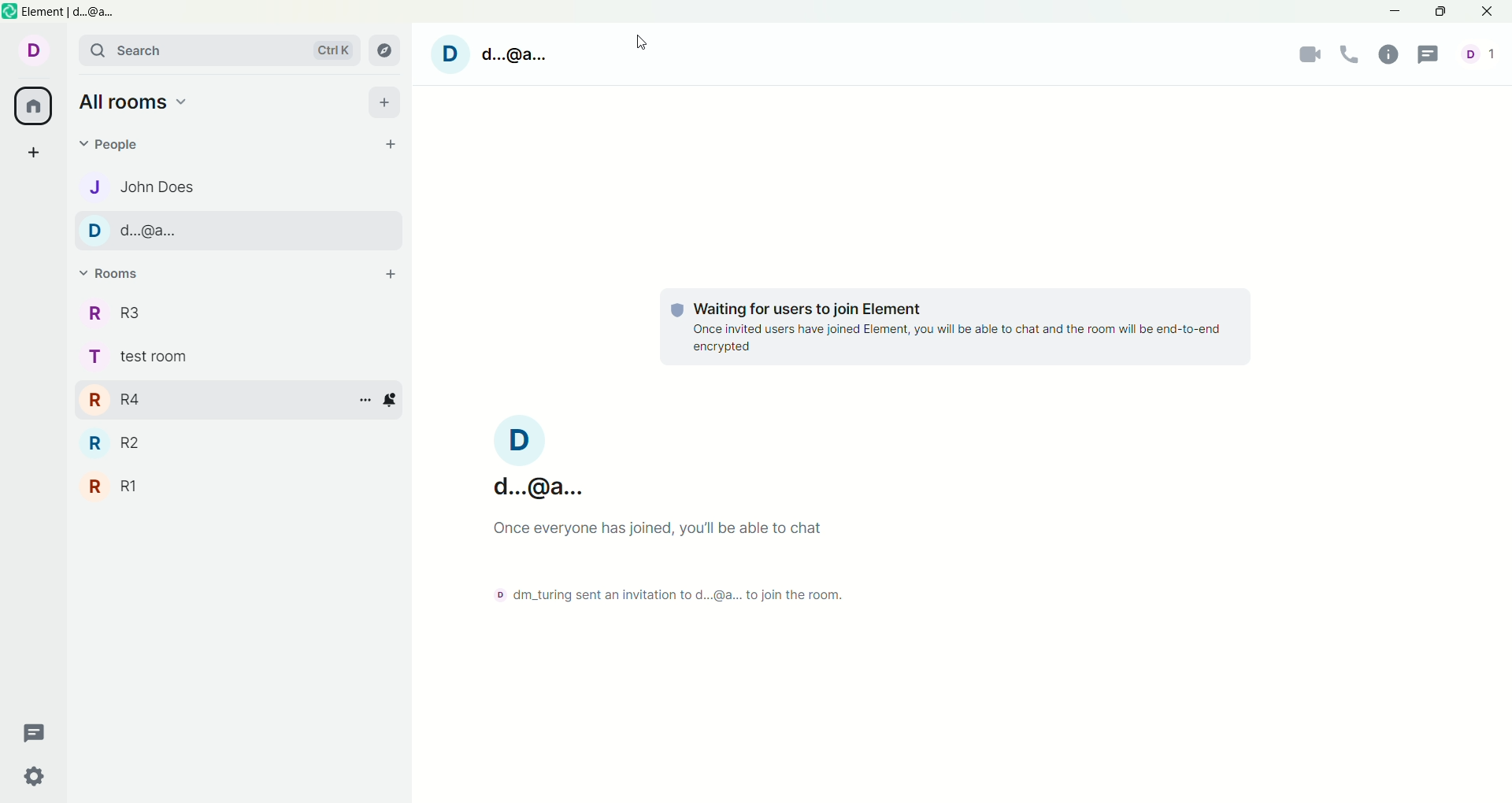 This screenshot has height=803, width=1512. What do you see at coordinates (1349, 55) in the screenshot?
I see `voice call` at bounding box center [1349, 55].